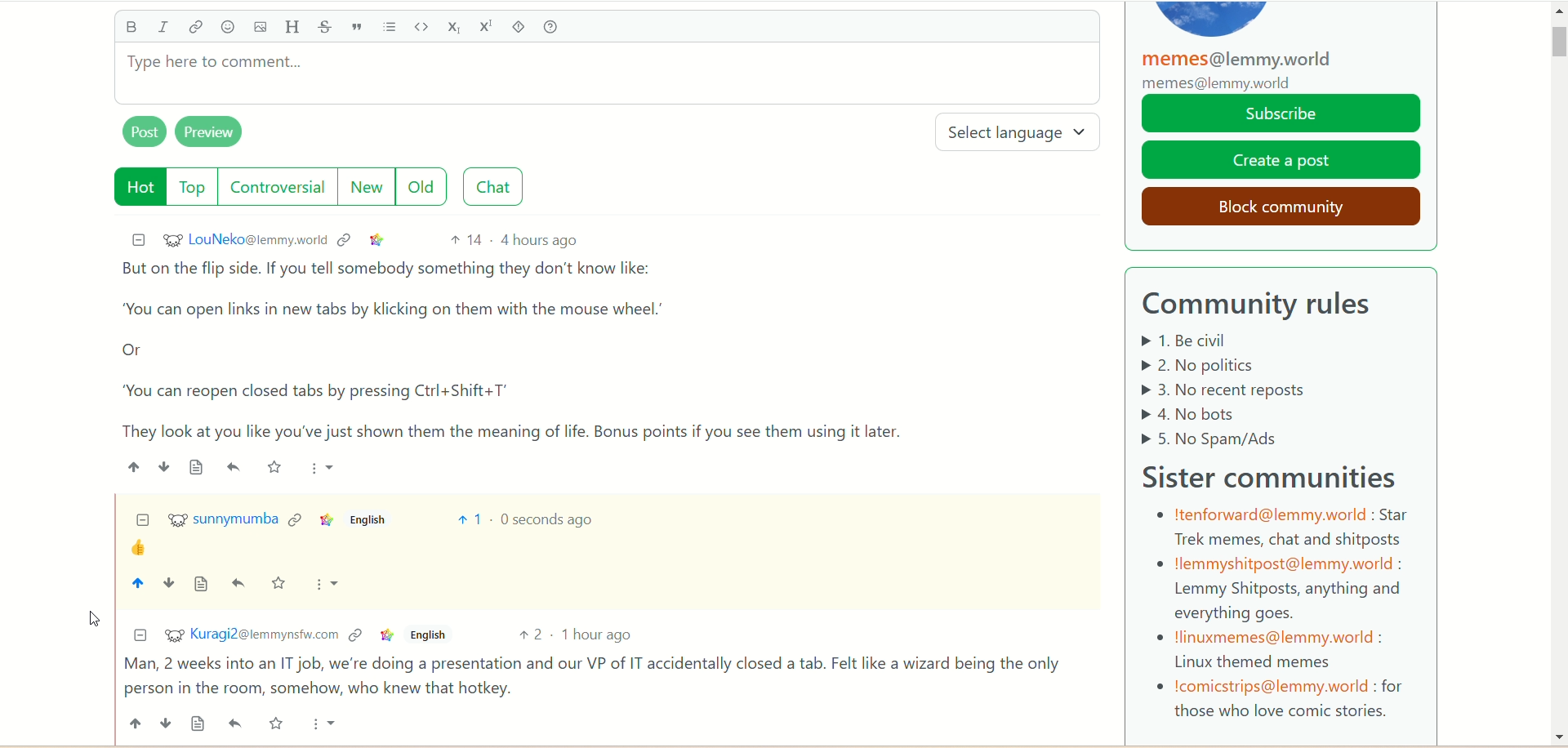 This screenshot has width=1568, height=748. Describe the element at coordinates (134, 238) in the screenshot. I see `minimize` at that location.